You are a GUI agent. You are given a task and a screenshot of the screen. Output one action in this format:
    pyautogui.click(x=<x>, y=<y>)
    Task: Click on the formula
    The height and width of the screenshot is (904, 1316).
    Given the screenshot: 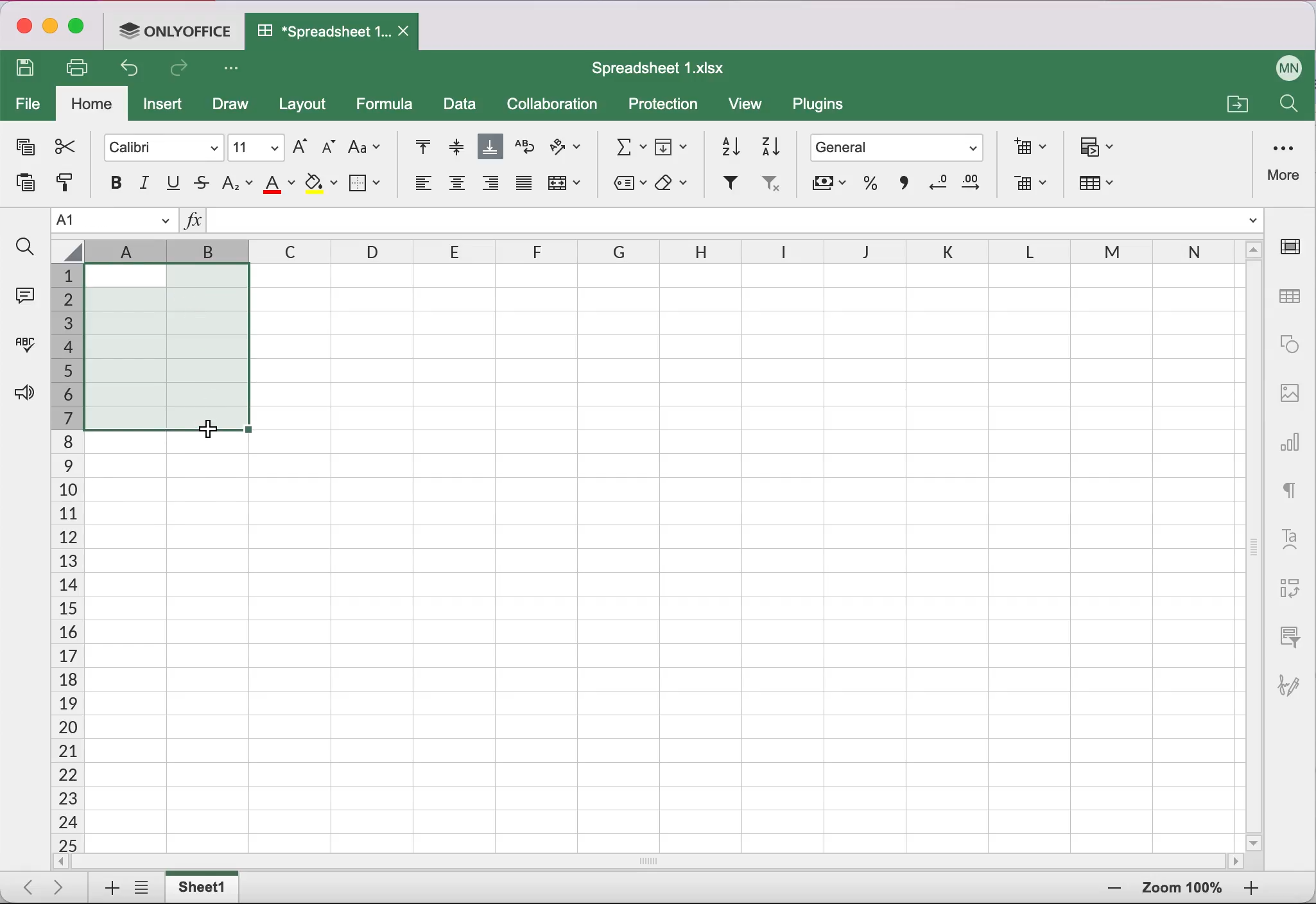 What is the action you would take?
    pyautogui.click(x=388, y=104)
    